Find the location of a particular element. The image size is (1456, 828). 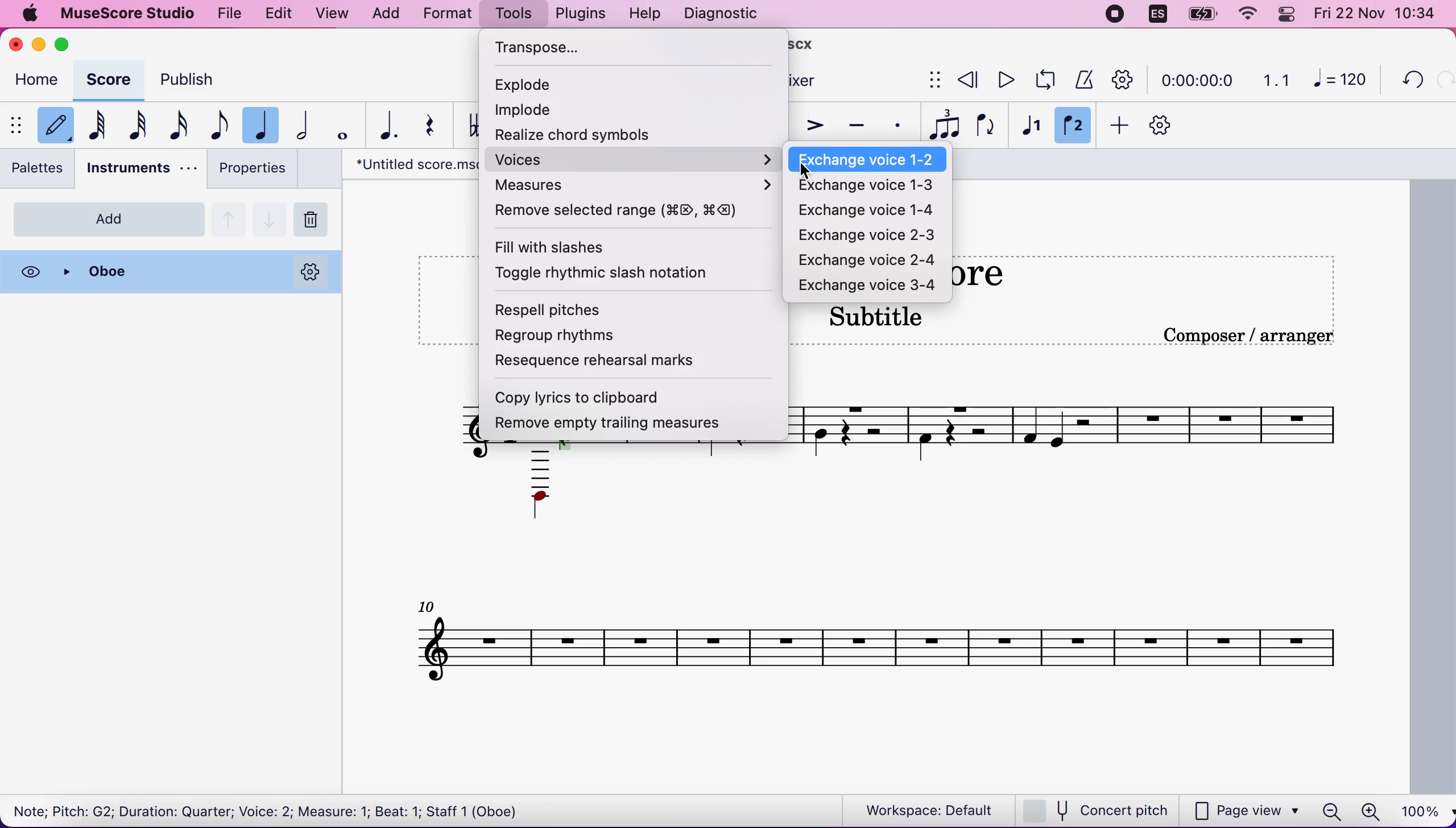

home is located at coordinates (38, 80).